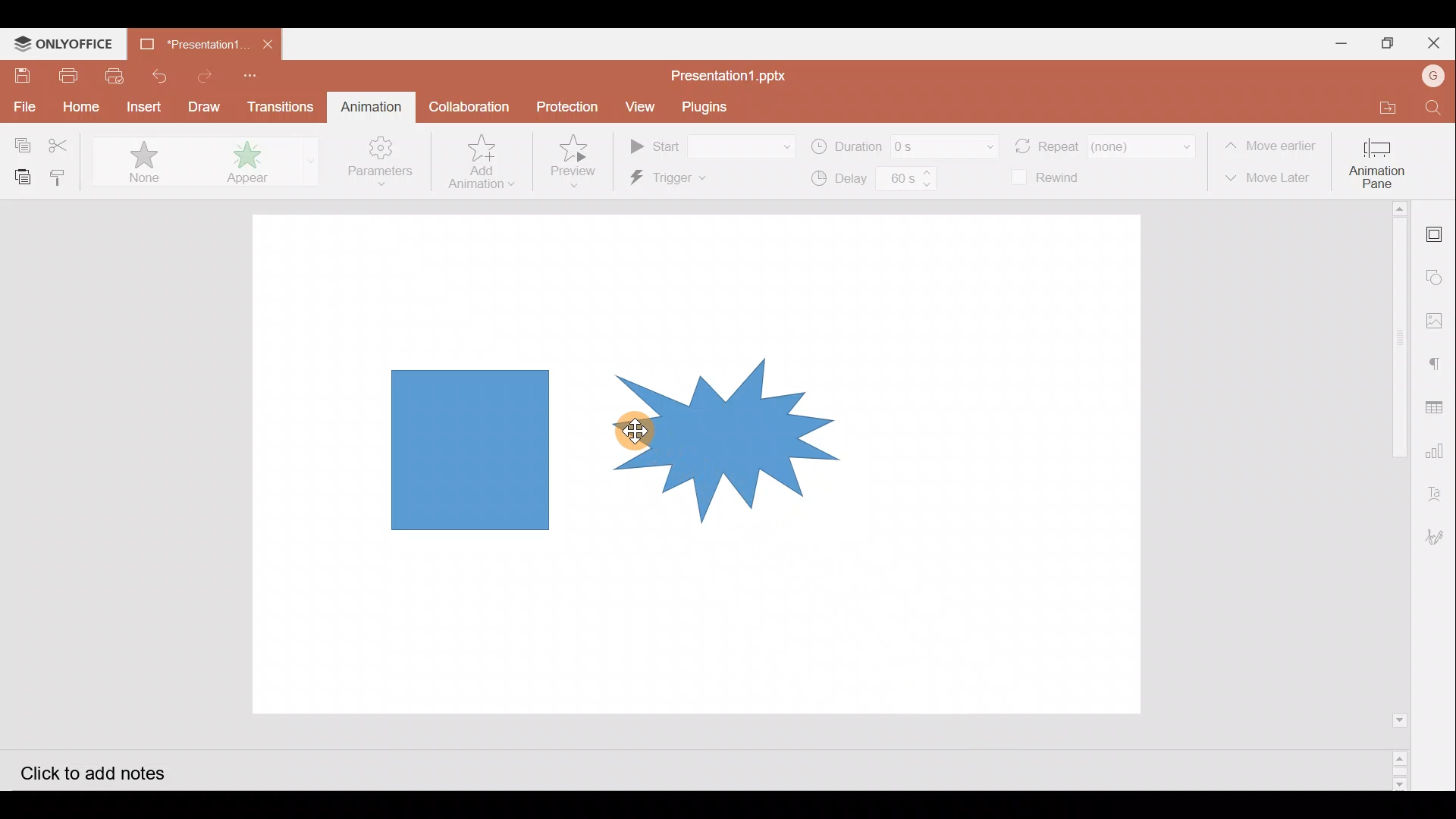 This screenshot has width=1456, height=819. I want to click on Quick print, so click(115, 74).